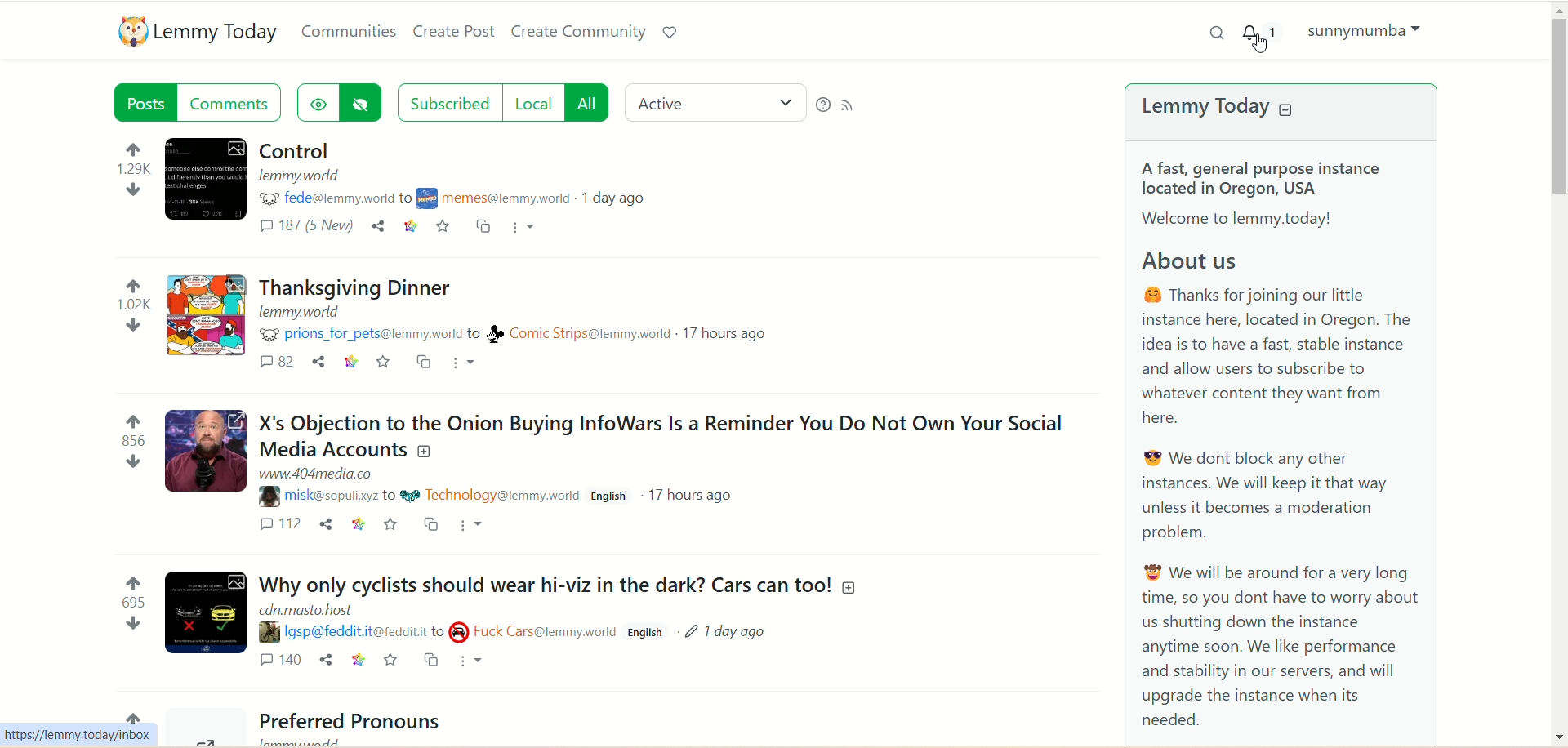 The image size is (1568, 748). I want to click on Post on "Why only cyclists should wear hi-viz in the dark? Cars can too!", so click(523, 603).